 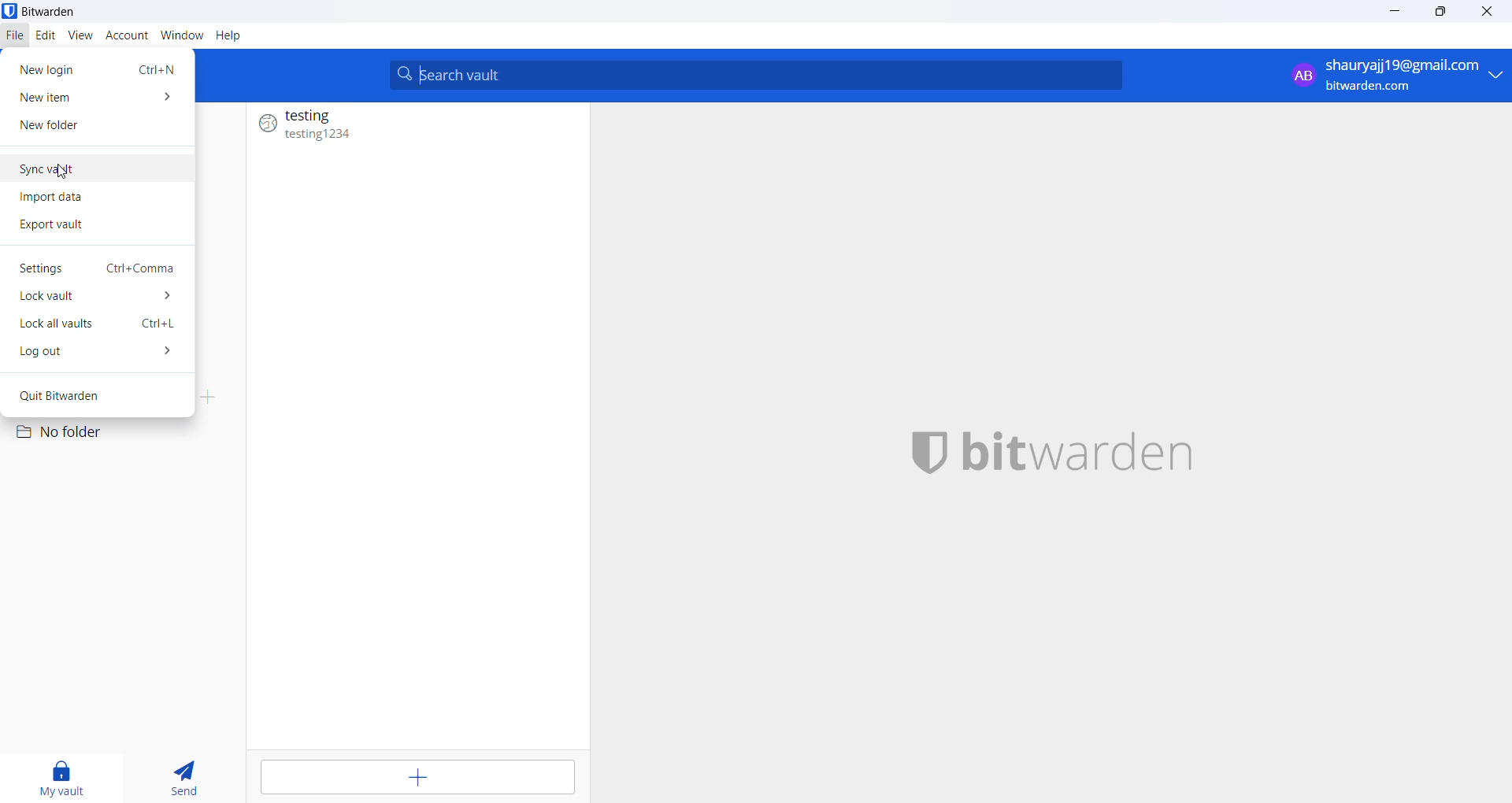 What do you see at coordinates (105, 327) in the screenshot?
I see `lock all vaults` at bounding box center [105, 327].